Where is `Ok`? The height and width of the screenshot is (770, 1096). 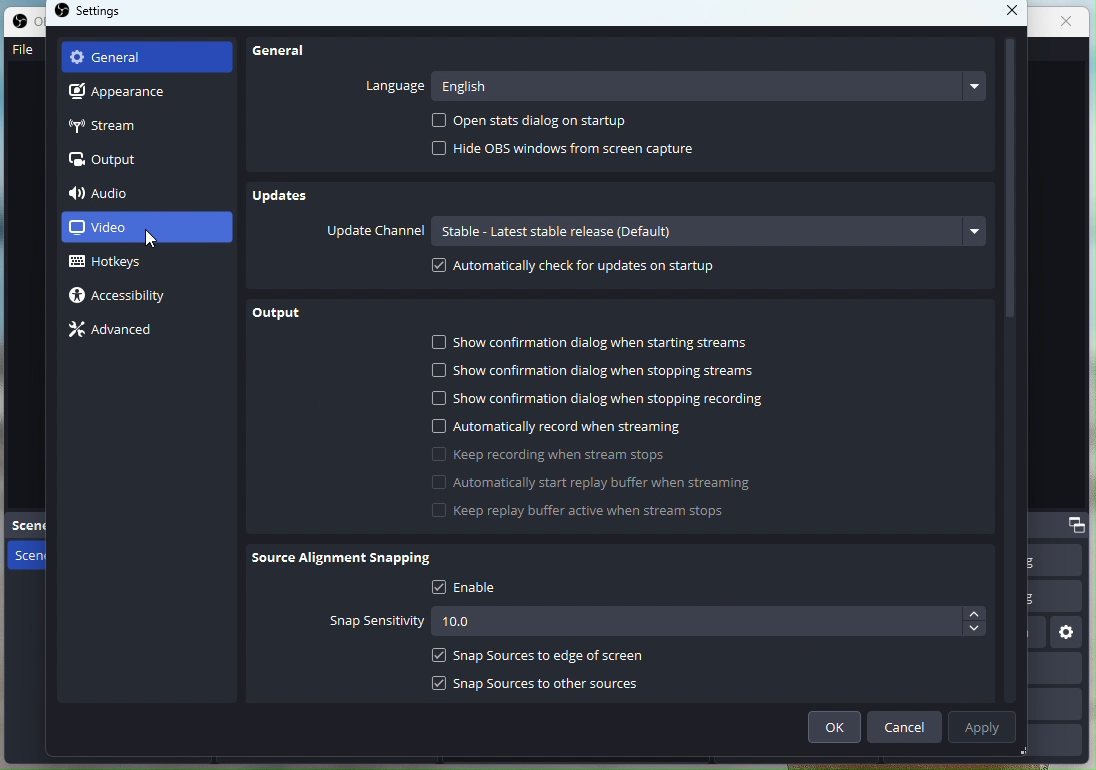
Ok is located at coordinates (835, 725).